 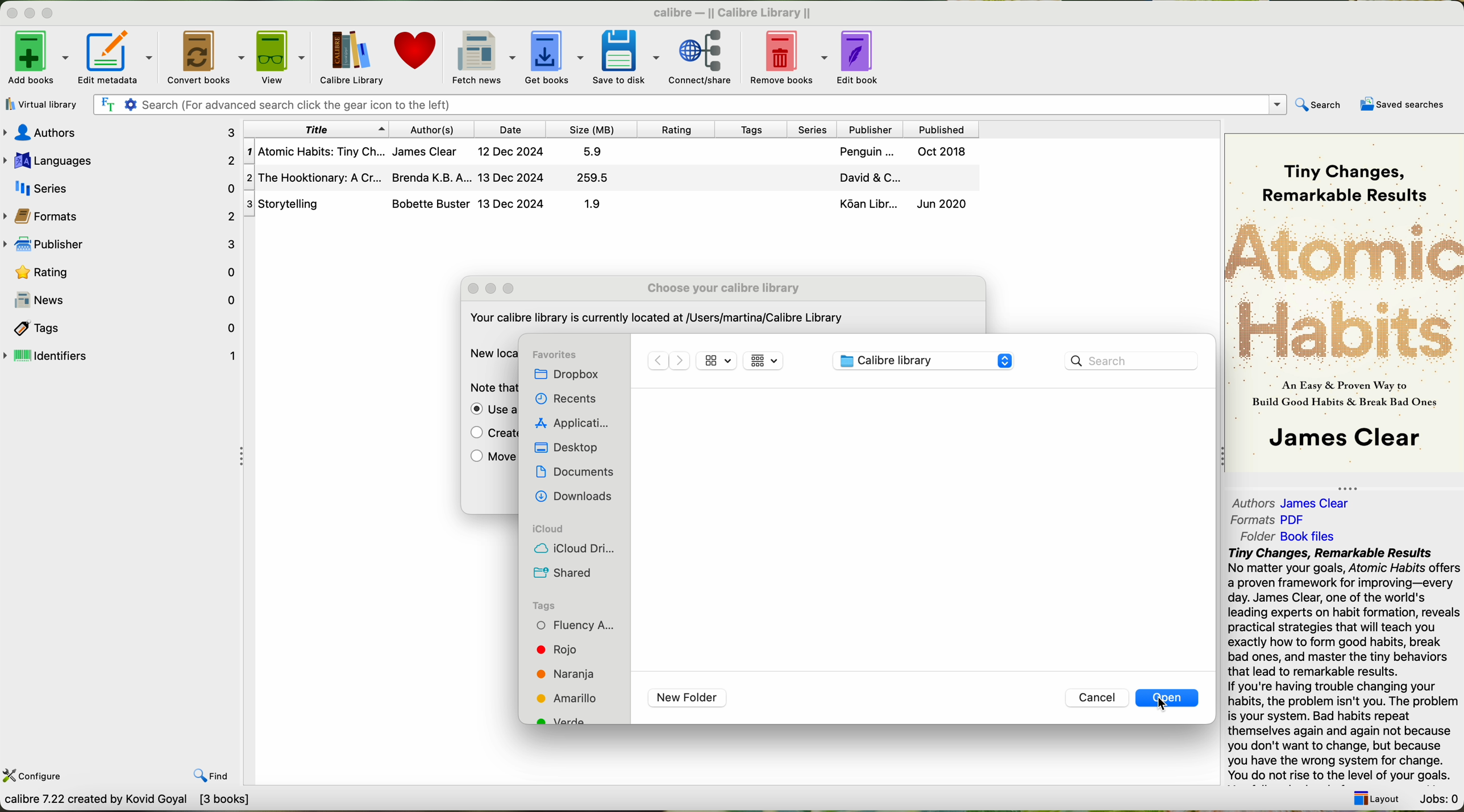 What do you see at coordinates (352, 56) in the screenshot?
I see `Caliber Library` at bounding box center [352, 56].